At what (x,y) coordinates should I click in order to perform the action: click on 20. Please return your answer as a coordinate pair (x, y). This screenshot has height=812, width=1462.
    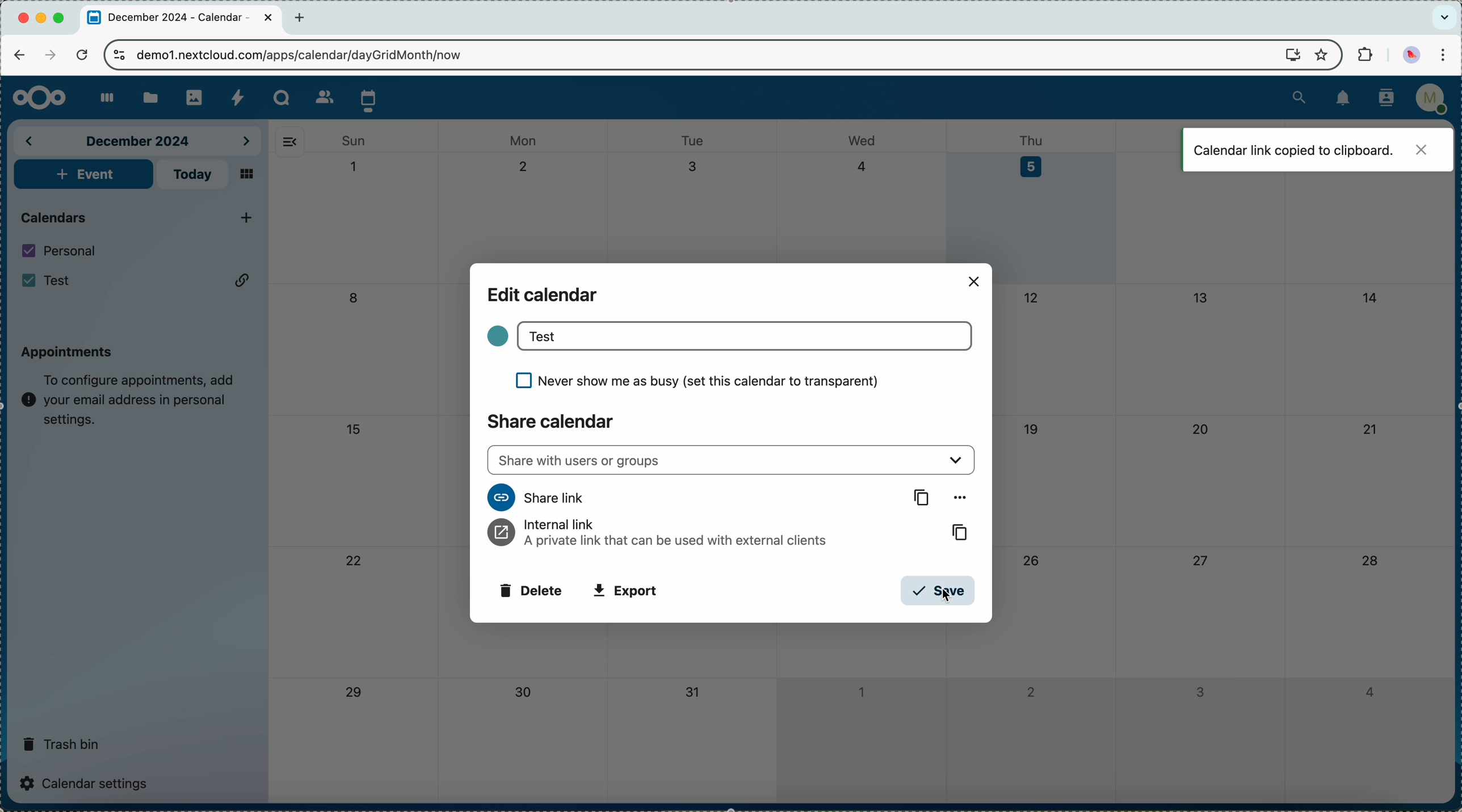
    Looking at the image, I should click on (1201, 429).